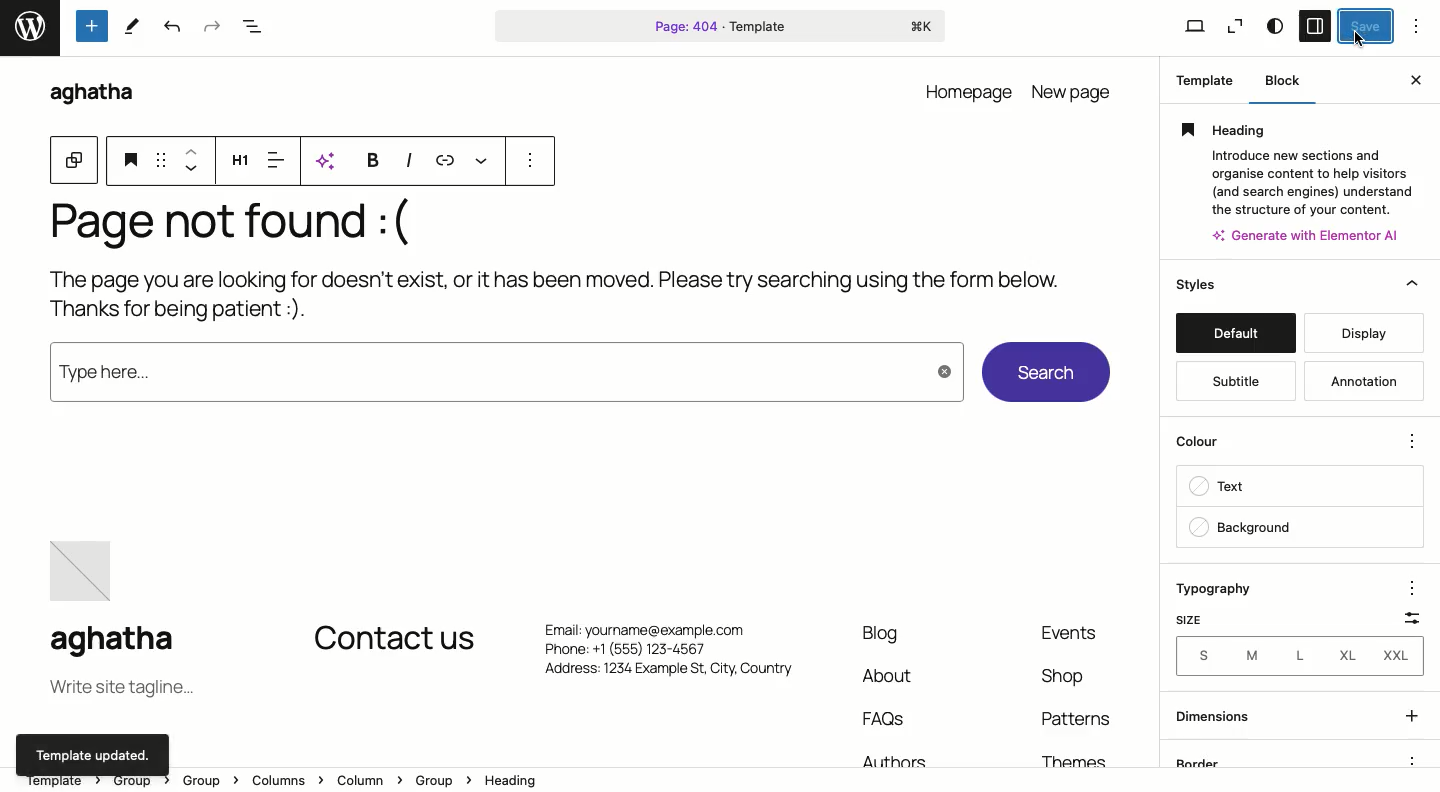  Describe the element at coordinates (372, 161) in the screenshot. I see `Bold` at that location.